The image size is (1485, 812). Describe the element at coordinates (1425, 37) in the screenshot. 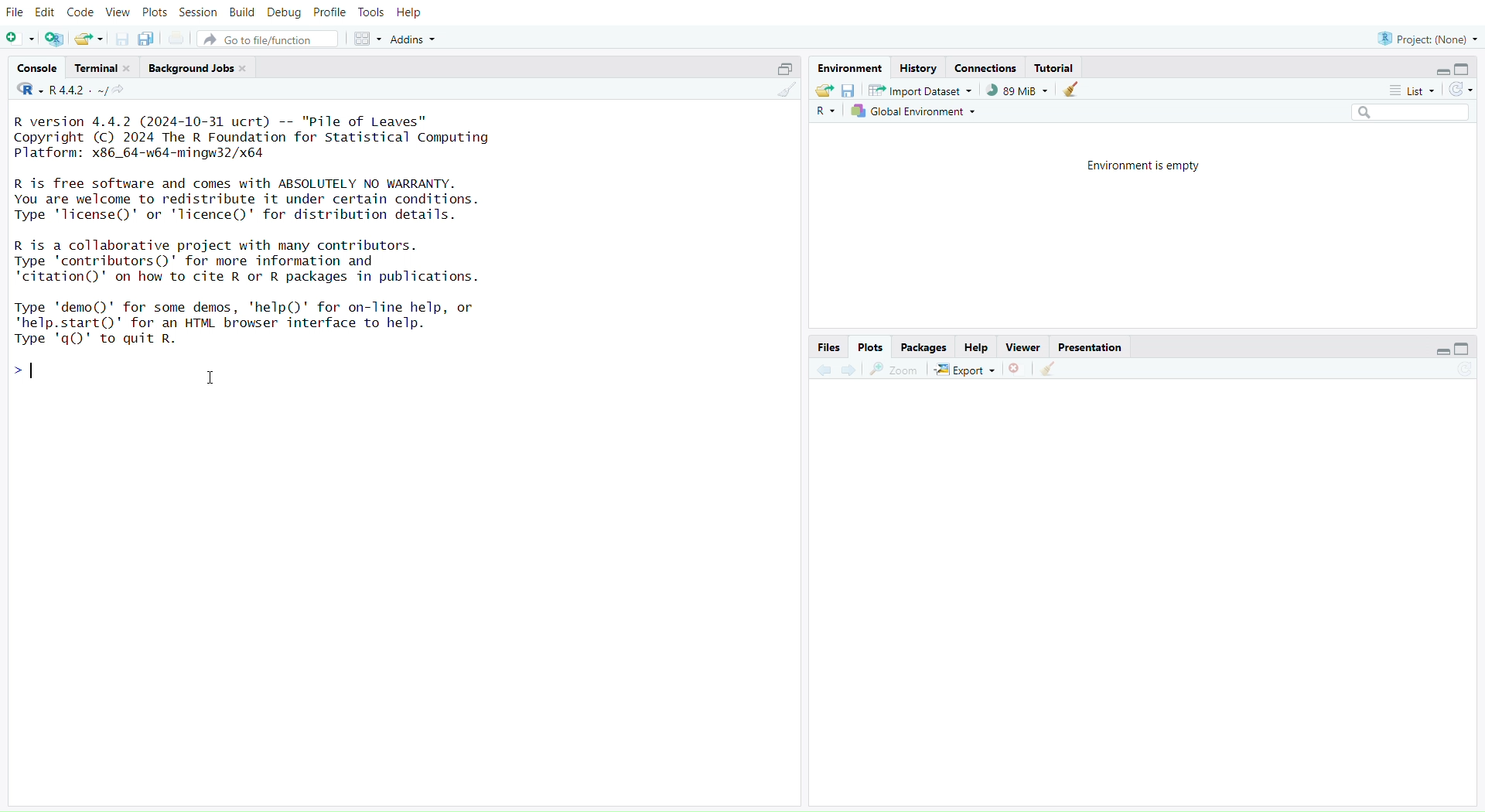

I see `Project (Note)` at that location.